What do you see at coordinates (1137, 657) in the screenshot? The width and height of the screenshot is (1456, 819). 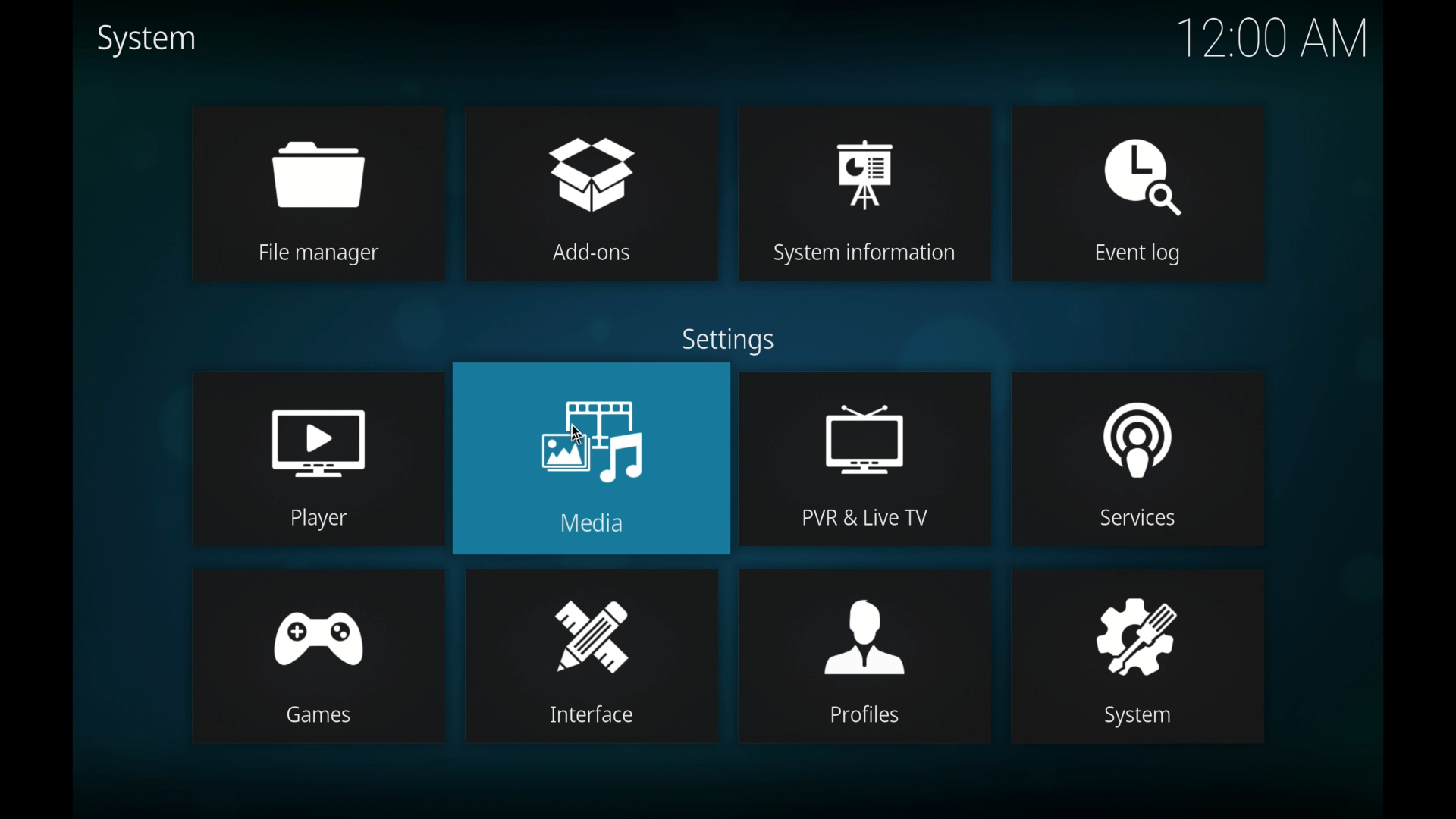 I see `system` at bounding box center [1137, 657].